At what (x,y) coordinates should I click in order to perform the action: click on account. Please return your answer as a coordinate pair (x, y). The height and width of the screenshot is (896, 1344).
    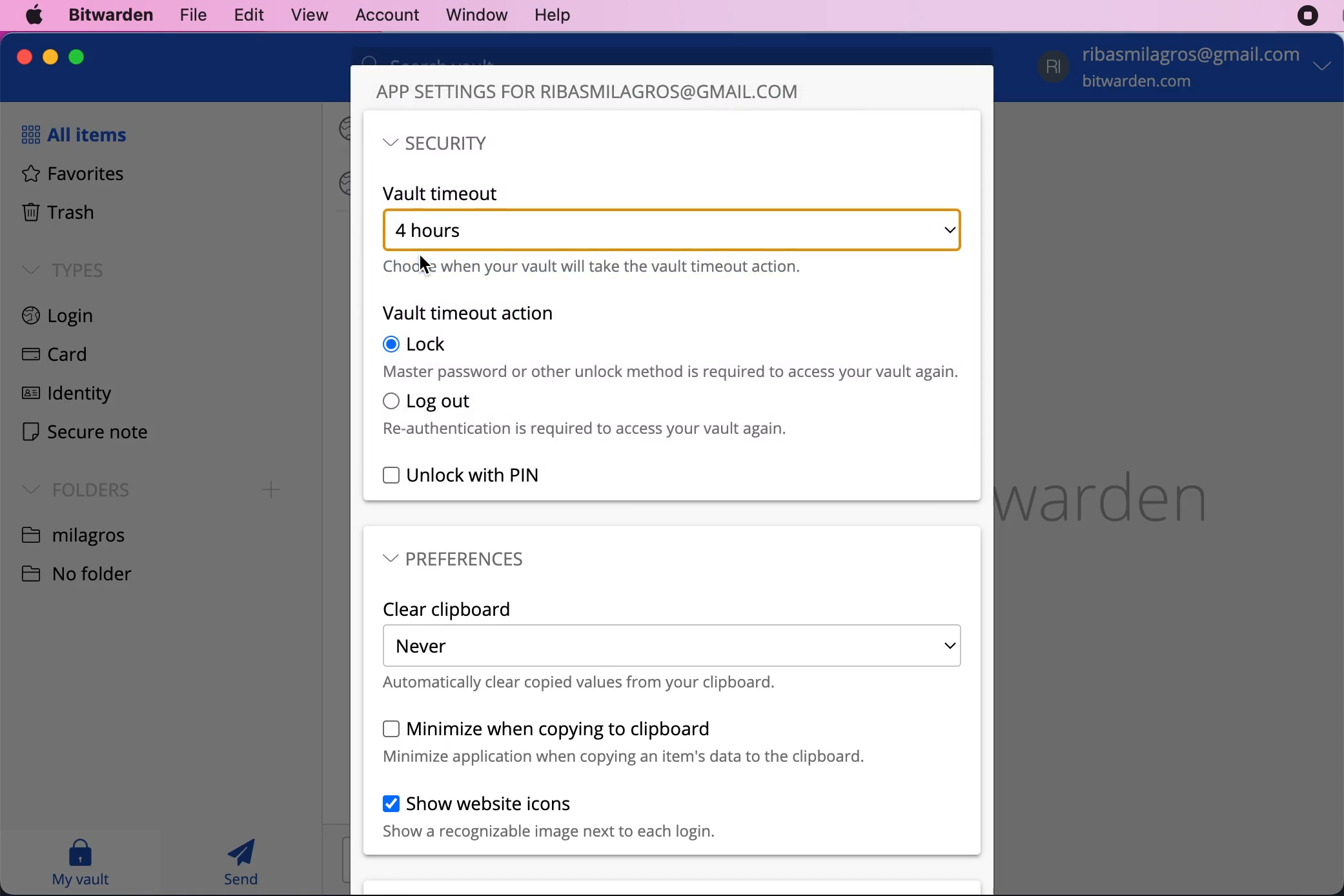
    Looking at the image, I should click on (382, 14).